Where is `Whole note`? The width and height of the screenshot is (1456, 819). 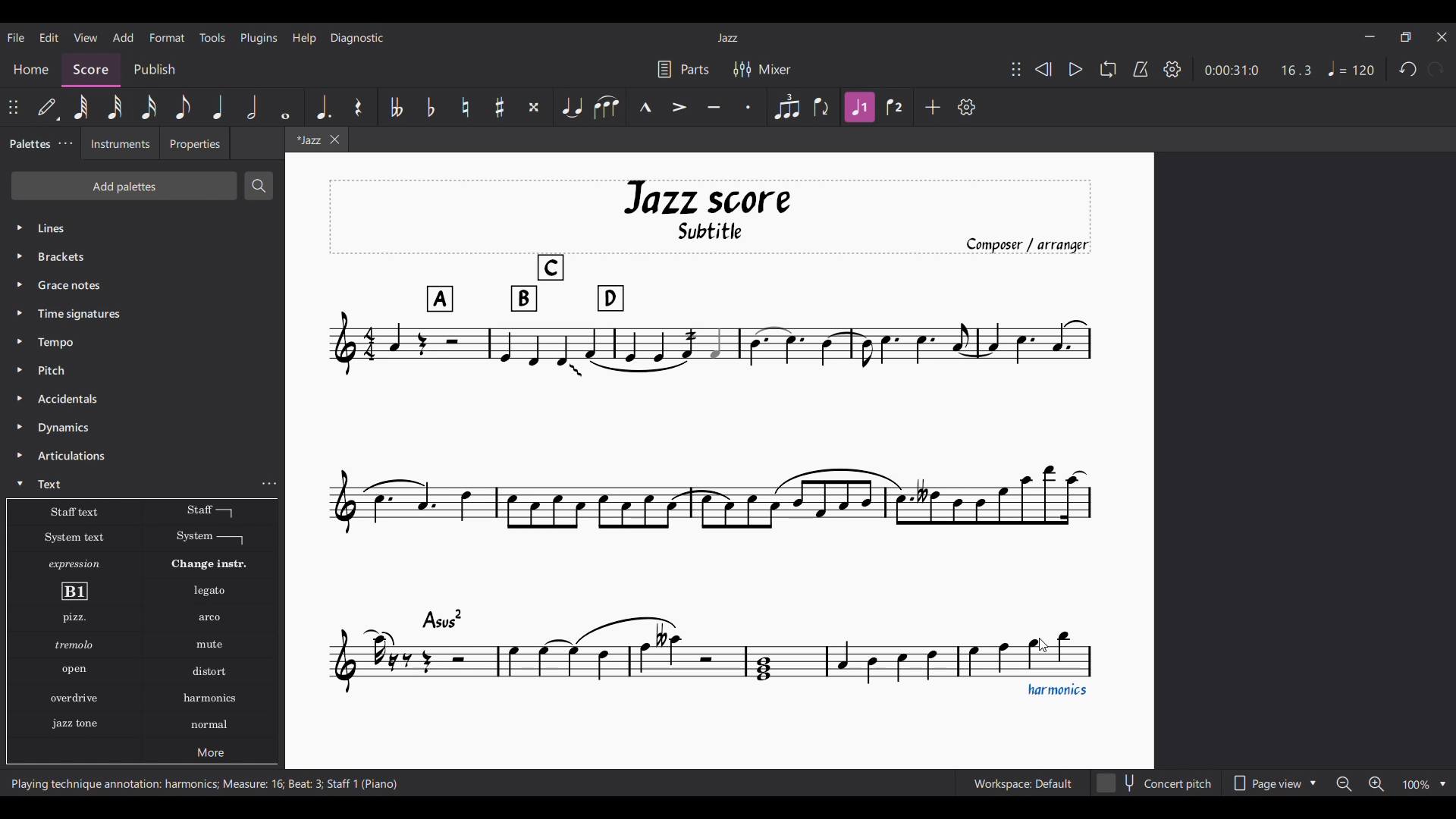
Whole note is located at coordinates (285, 107).